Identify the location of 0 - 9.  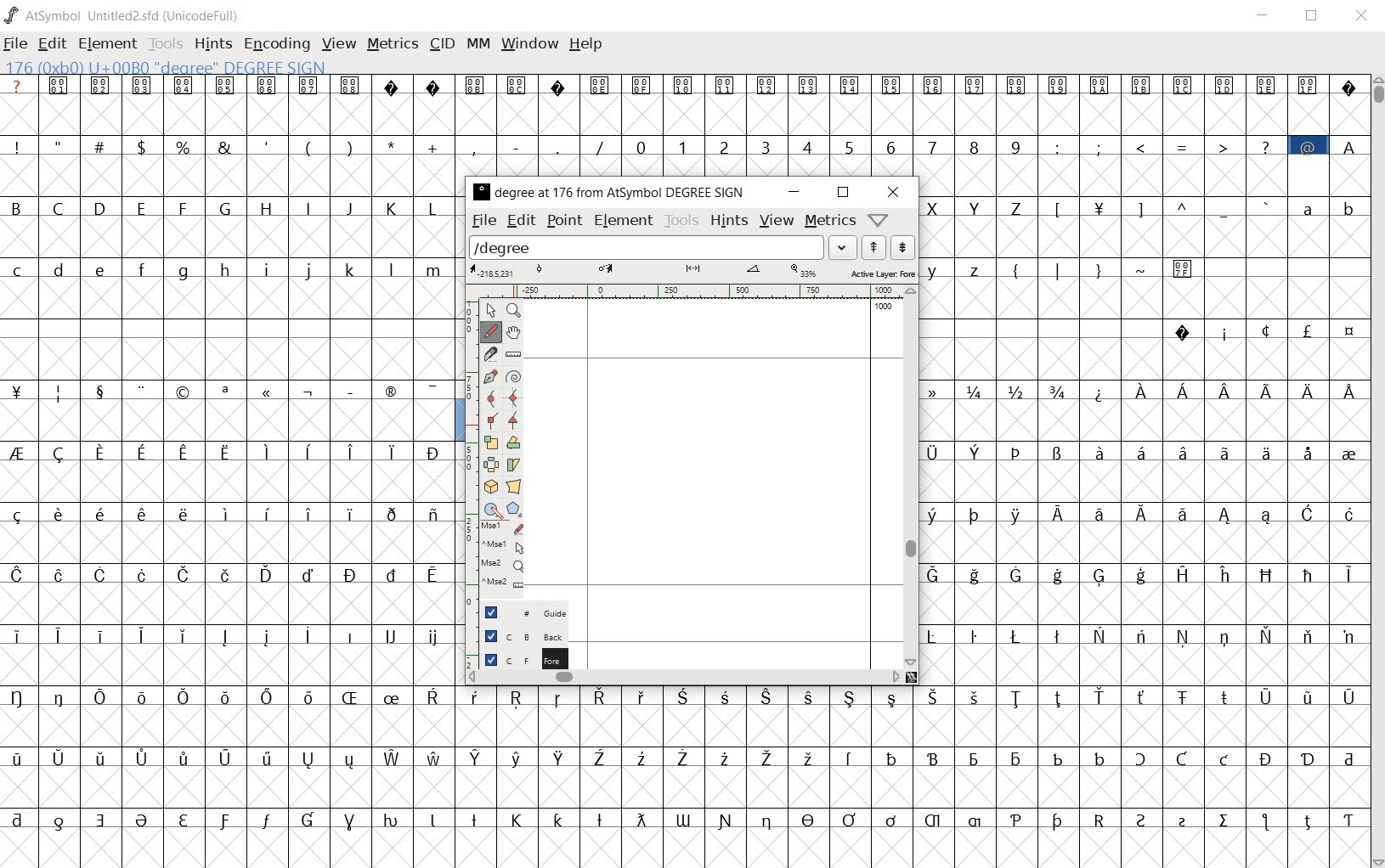
(825, 145).